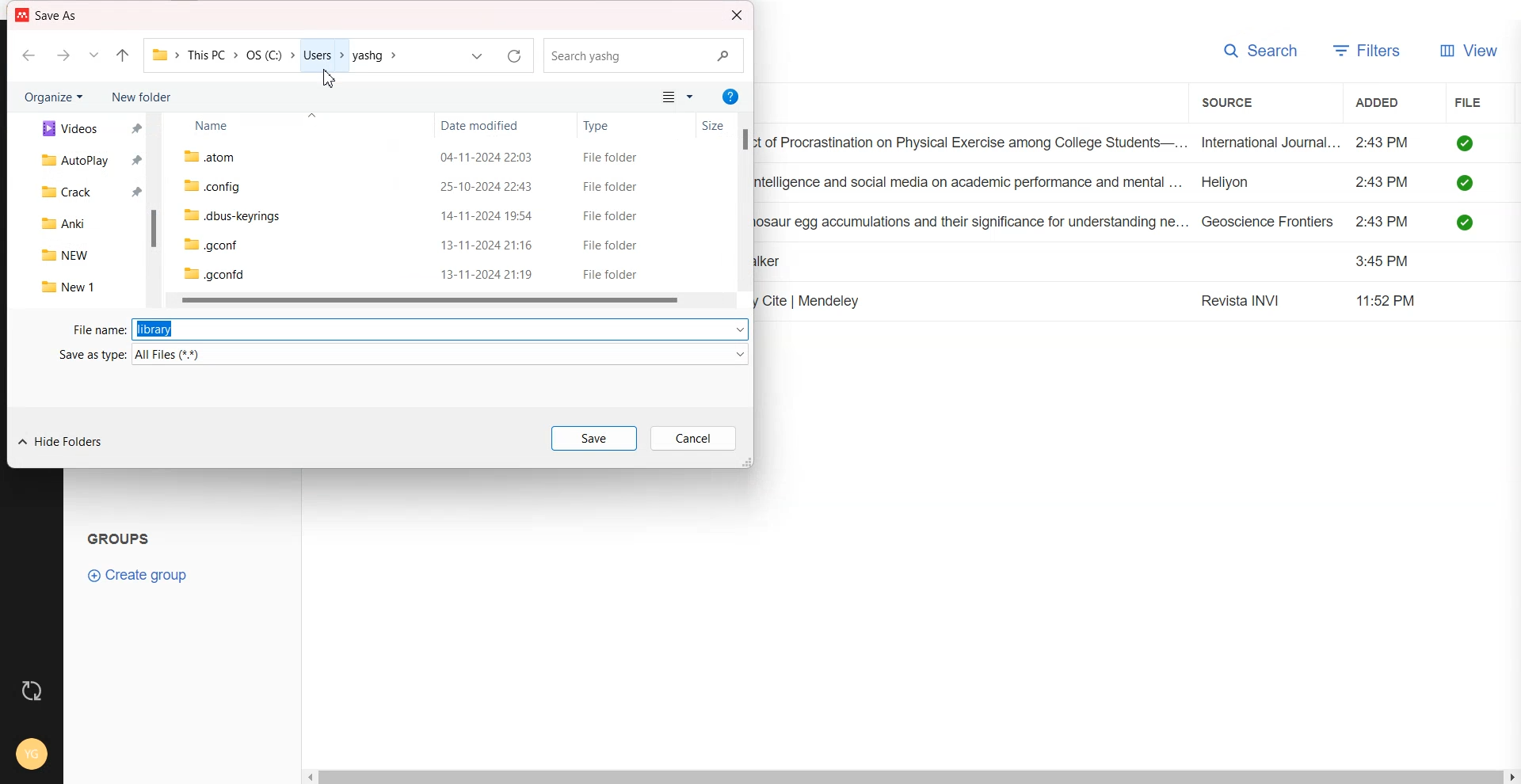  What do you see at coordinates (59, 17) in the screenshot?
I see `Save As` at bounding box center [59, 17].